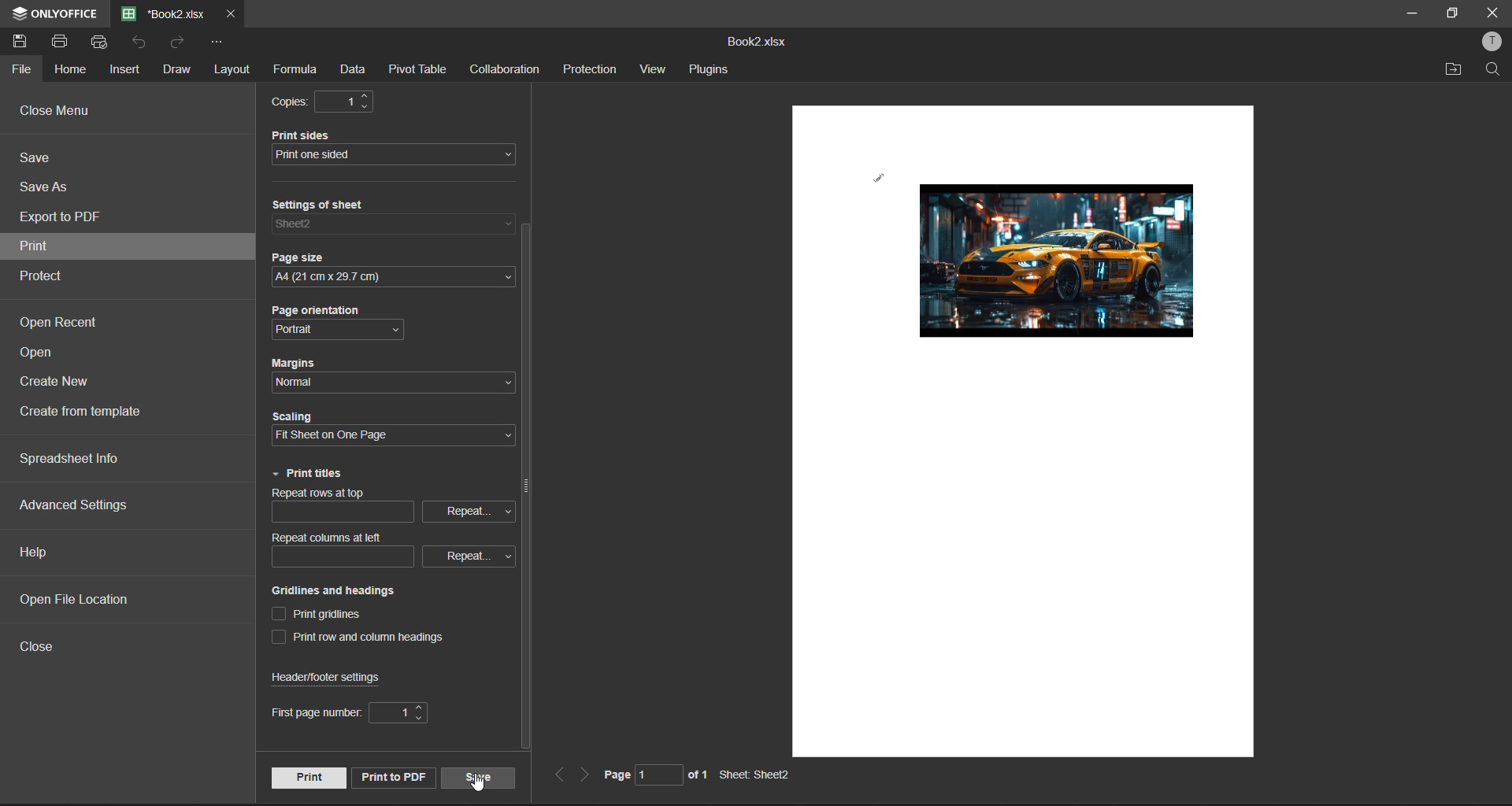  I want to click on protect, so click(48, 275).